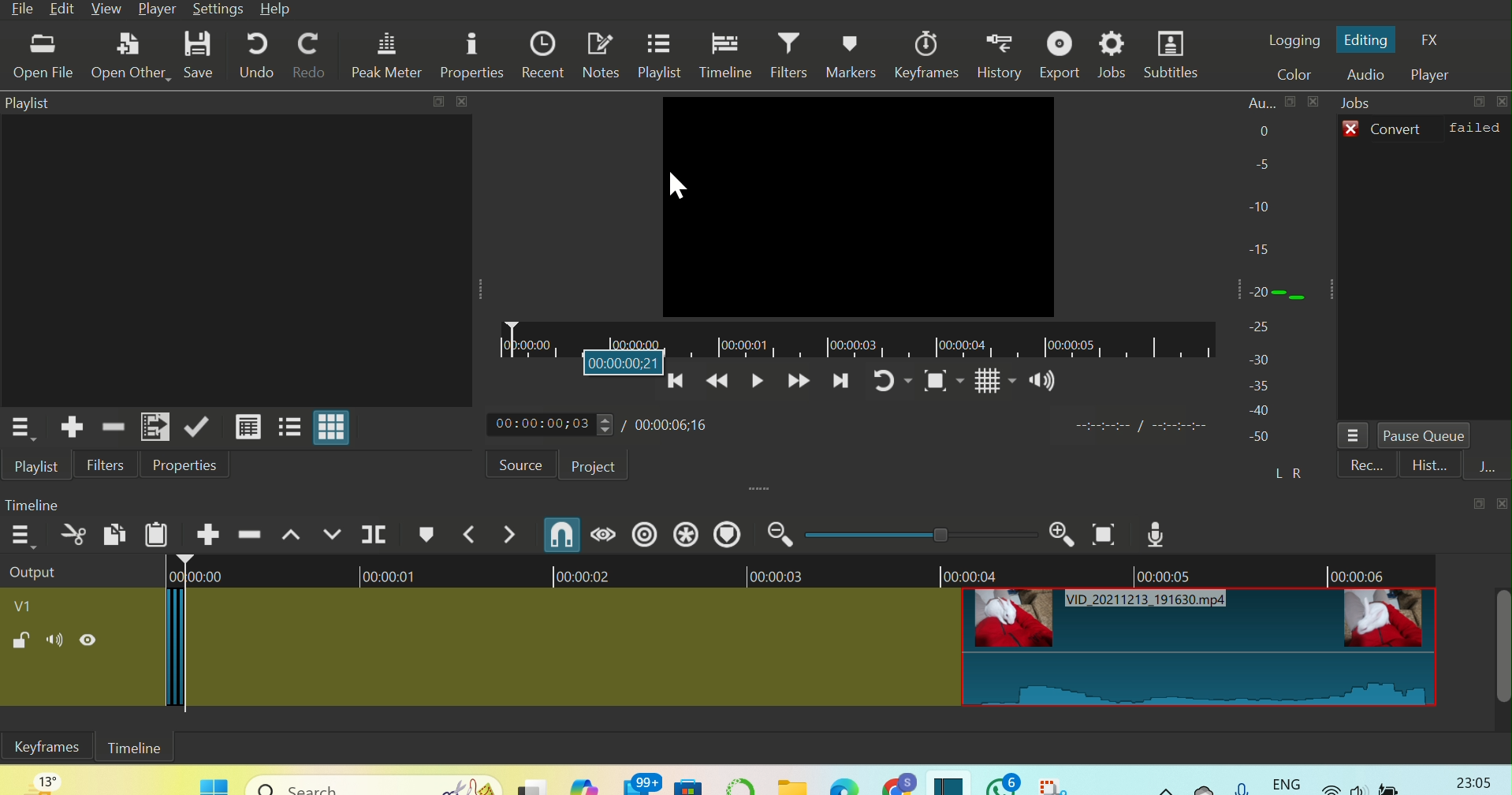 Image resolution: width=1512 pixels, height=795 pixels. I want to click on Pauese Queue, so click(1428, 436).